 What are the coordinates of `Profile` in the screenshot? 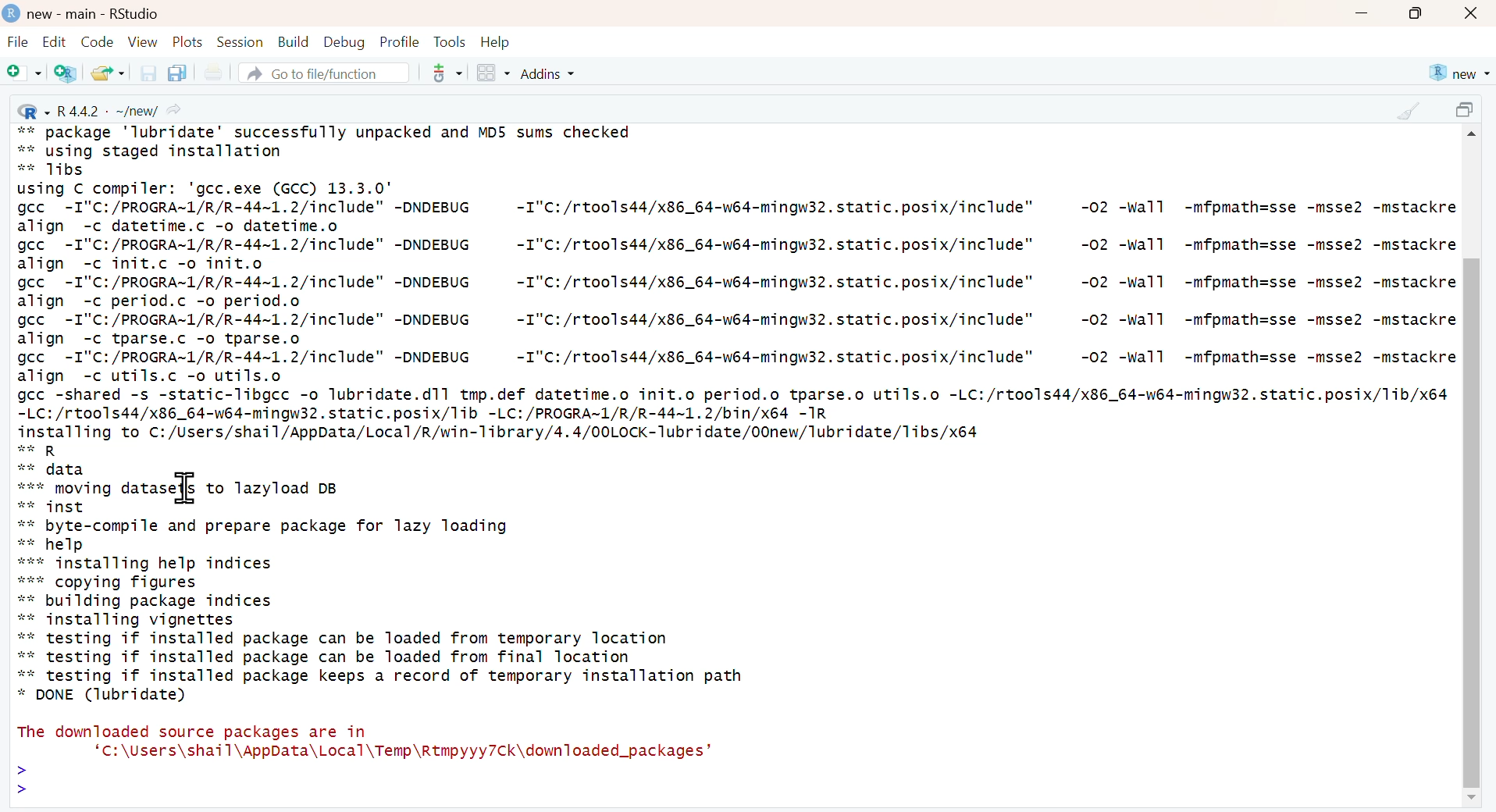 It's located at (400, 41).